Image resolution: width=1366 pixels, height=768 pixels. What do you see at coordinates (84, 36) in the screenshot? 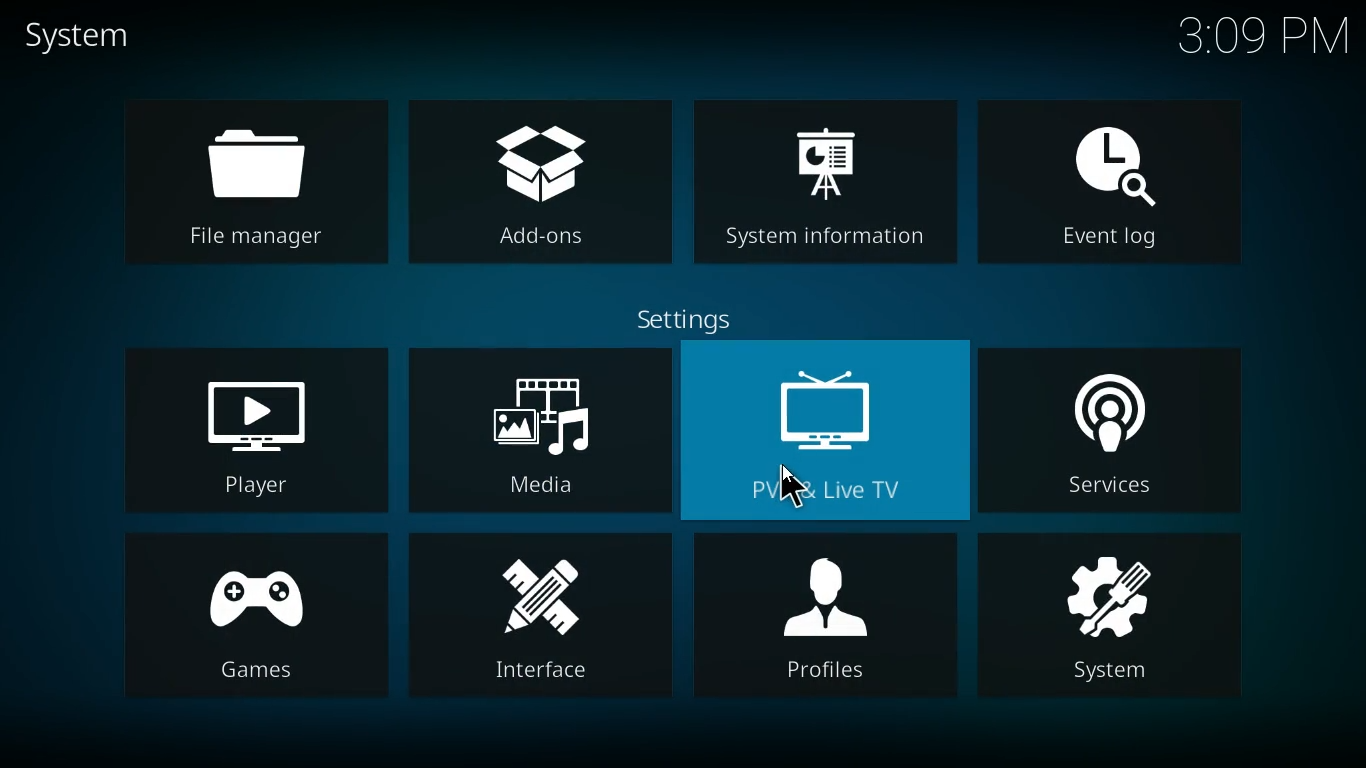
I see `system` at bounding box center [84, 36].